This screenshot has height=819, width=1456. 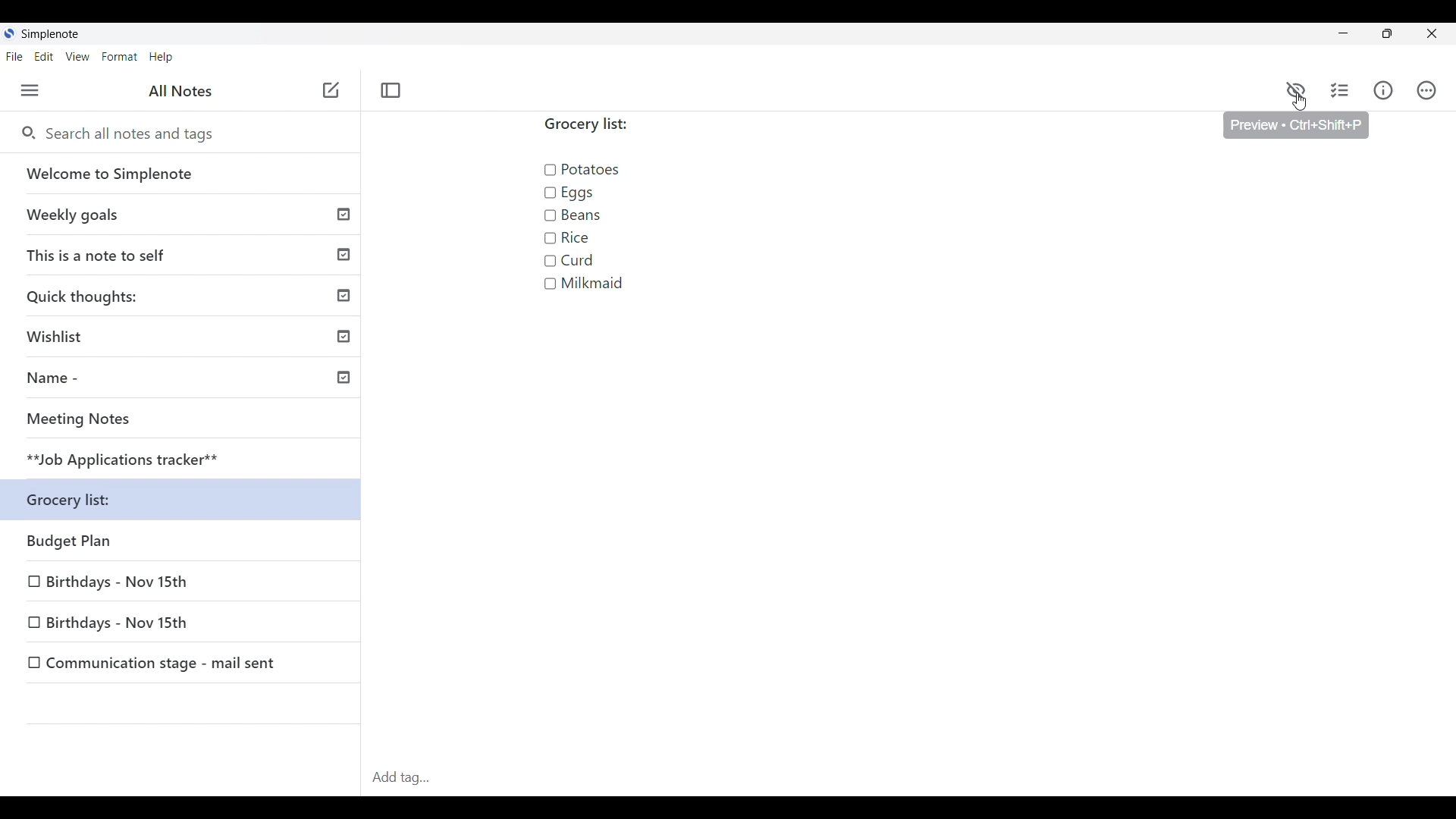 I want to click on Birthdays - Nov 15th, so click(x=182, y=584).